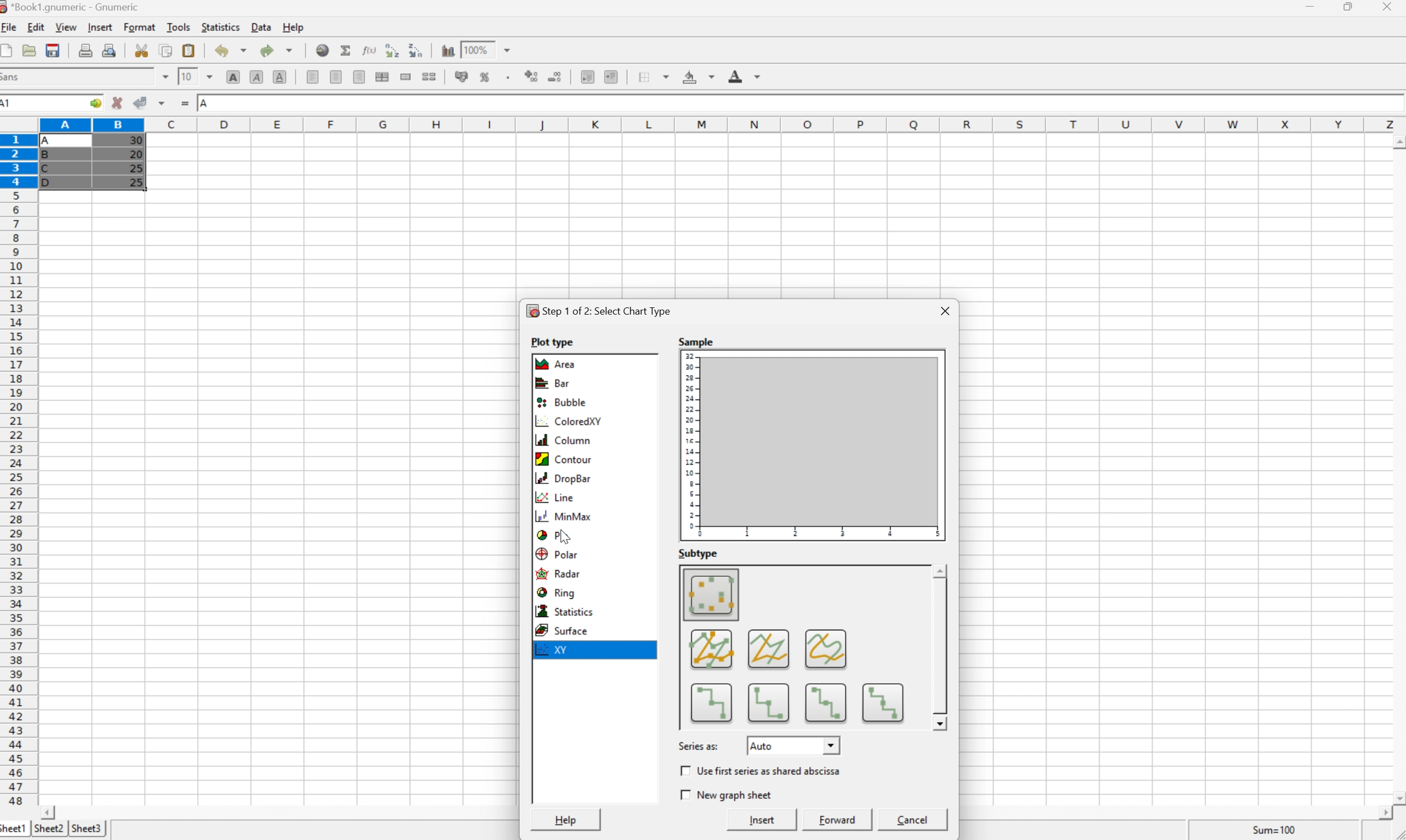 This screenshot has width=1406, height=840. Describe the element at coordinates (14, 830) in the screenshot. I see `Sheet1` at that location.